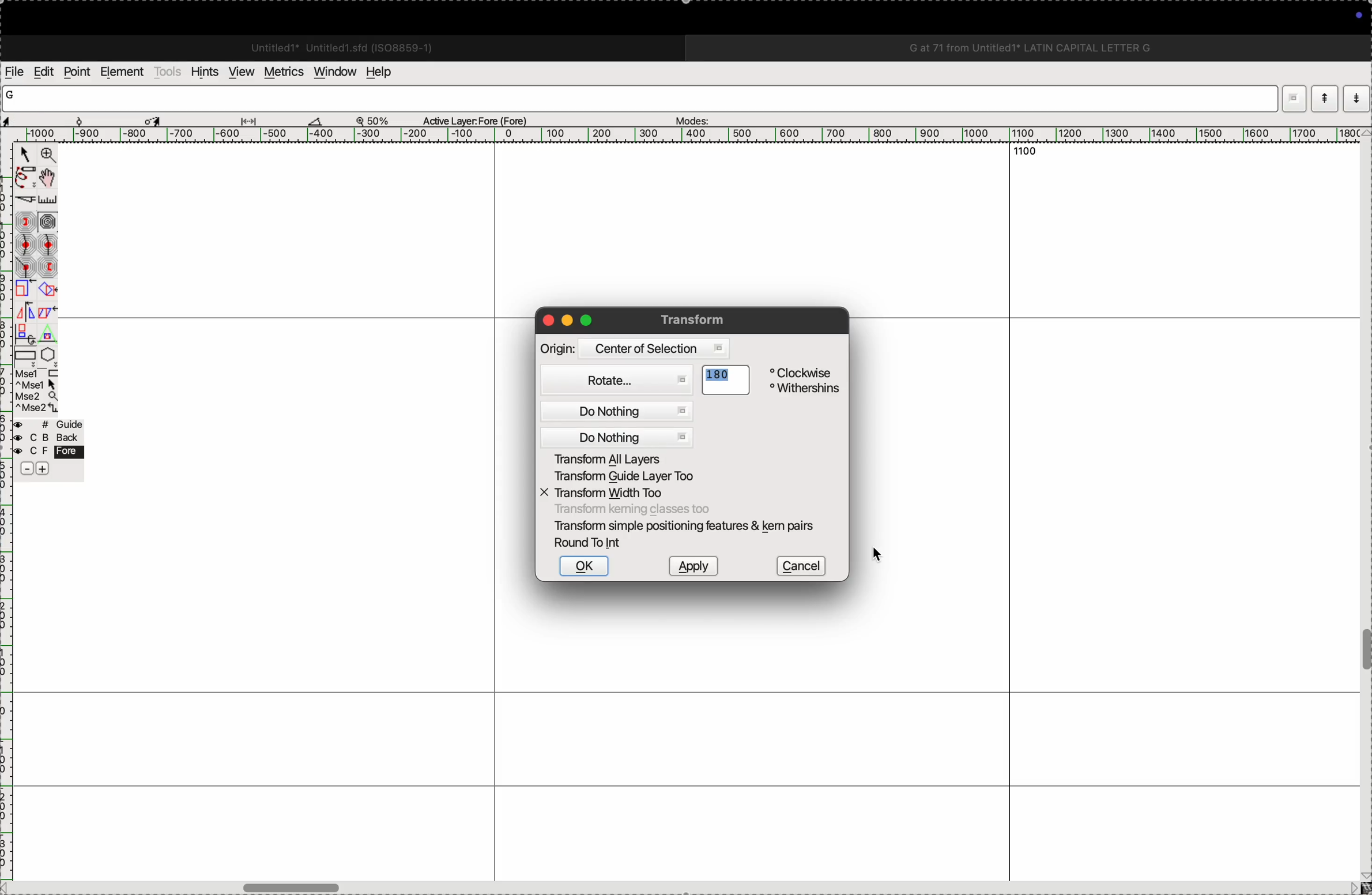 This screenshot has width=1372, height=895. I want to click on Origin:, so click(559, 351).